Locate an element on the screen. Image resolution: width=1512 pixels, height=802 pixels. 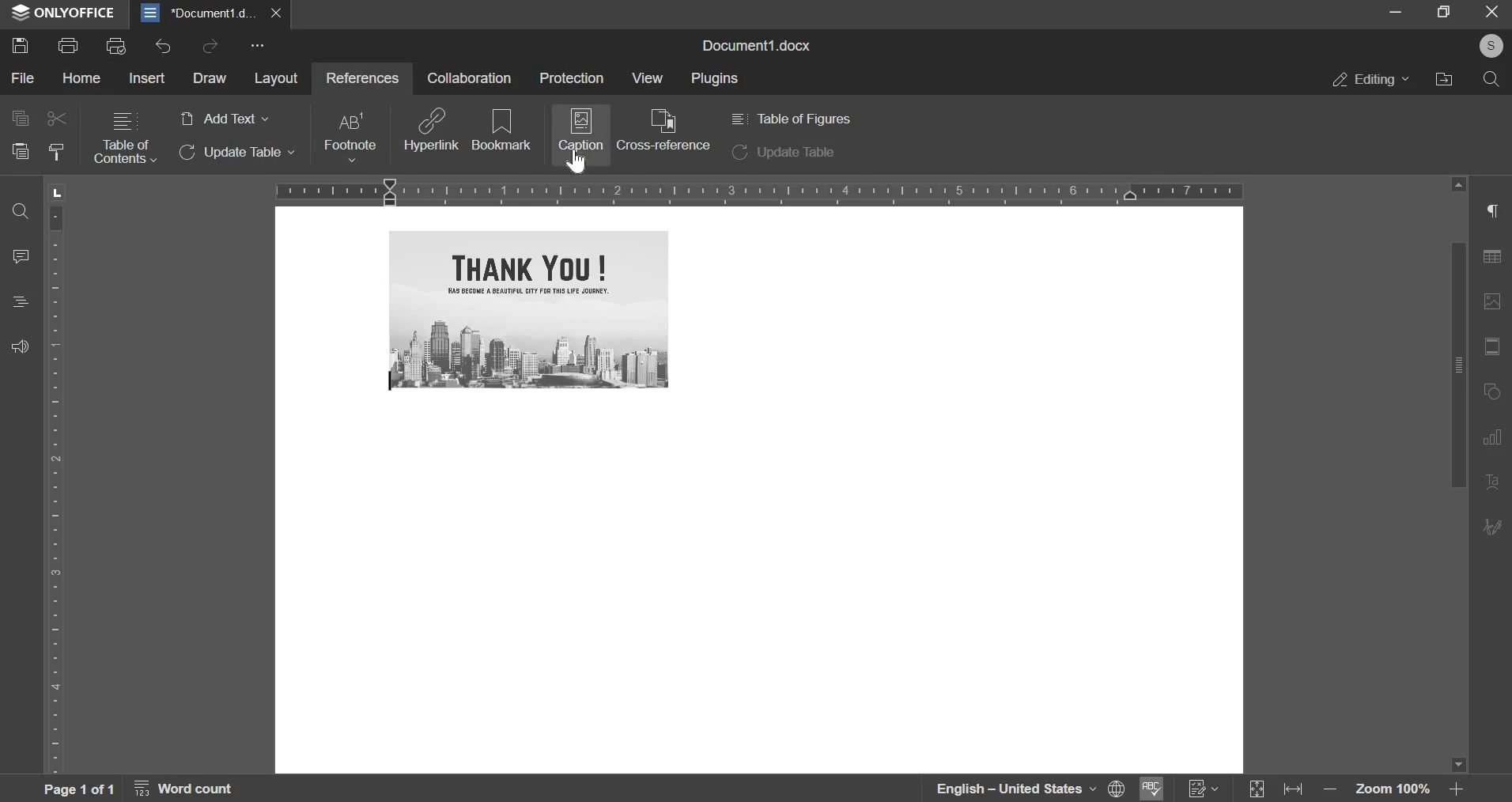
Zoom in is located at coordinates (1456, 789).